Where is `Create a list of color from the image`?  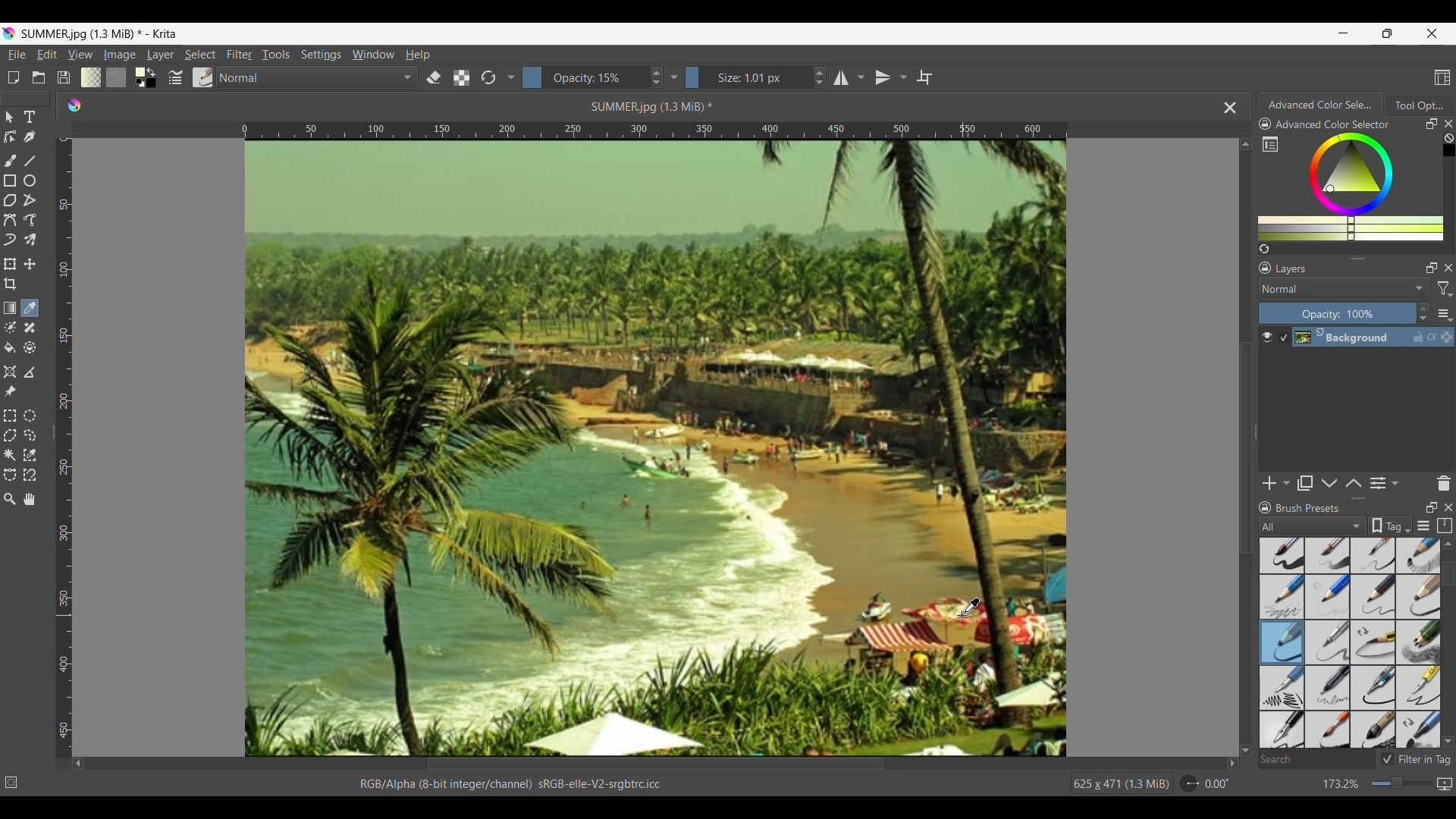
Create a list of color from the image is located at coordinates (1265, 249).